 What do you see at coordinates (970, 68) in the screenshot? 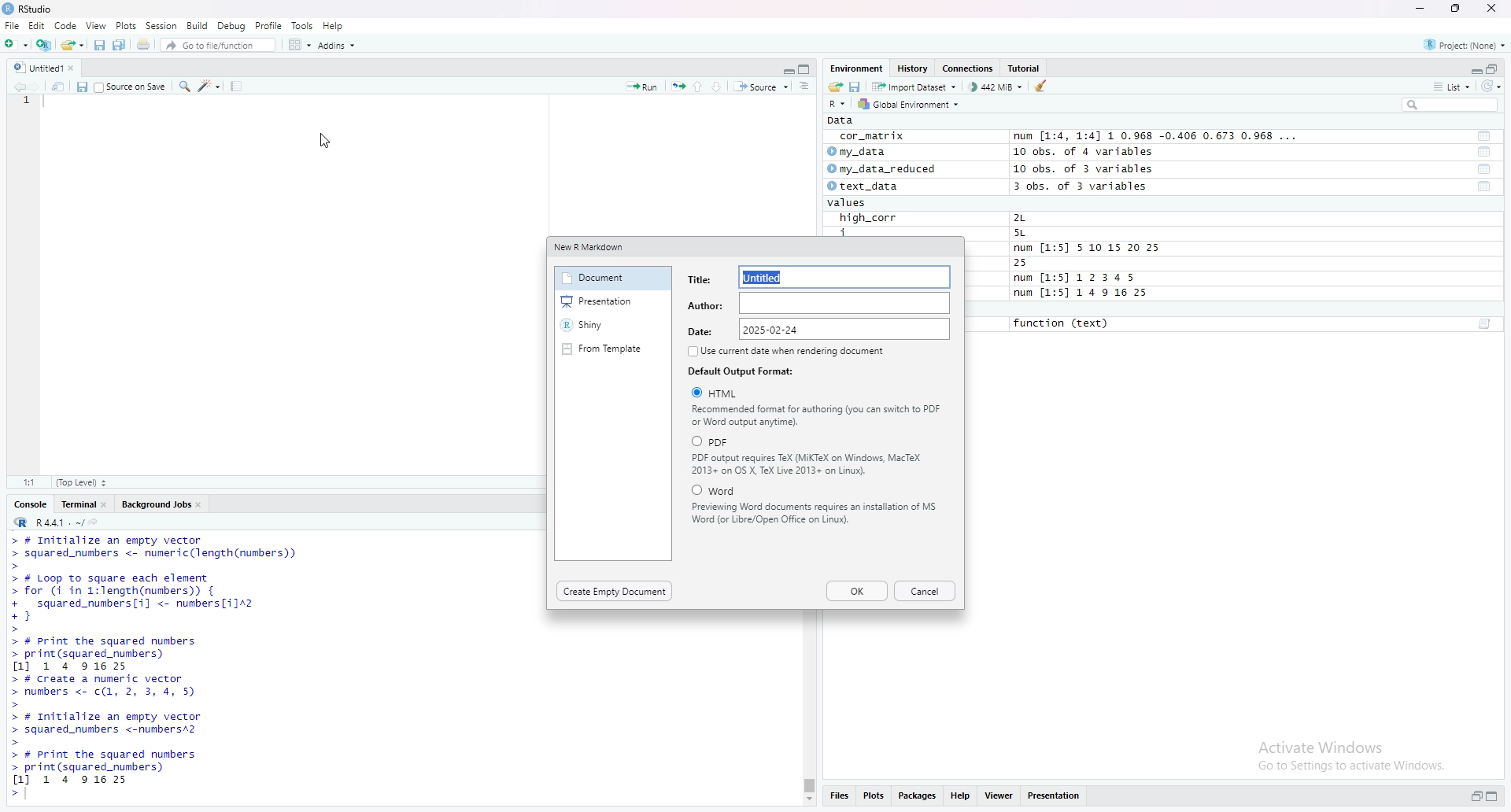
I see `Connections` at bounding box center [970, 68].